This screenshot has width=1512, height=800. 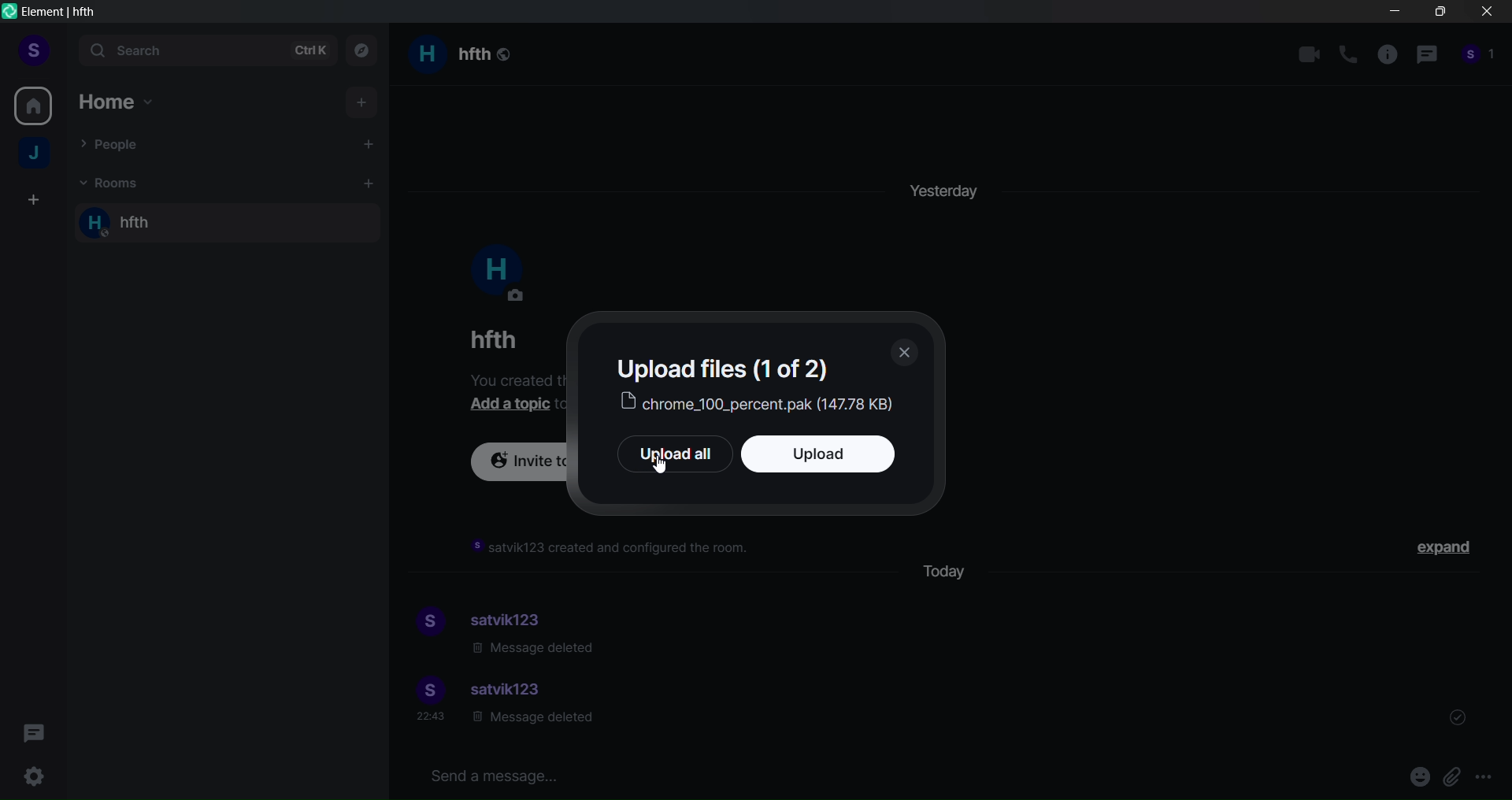 I want to click on display picture, so click(x=497, y=273).